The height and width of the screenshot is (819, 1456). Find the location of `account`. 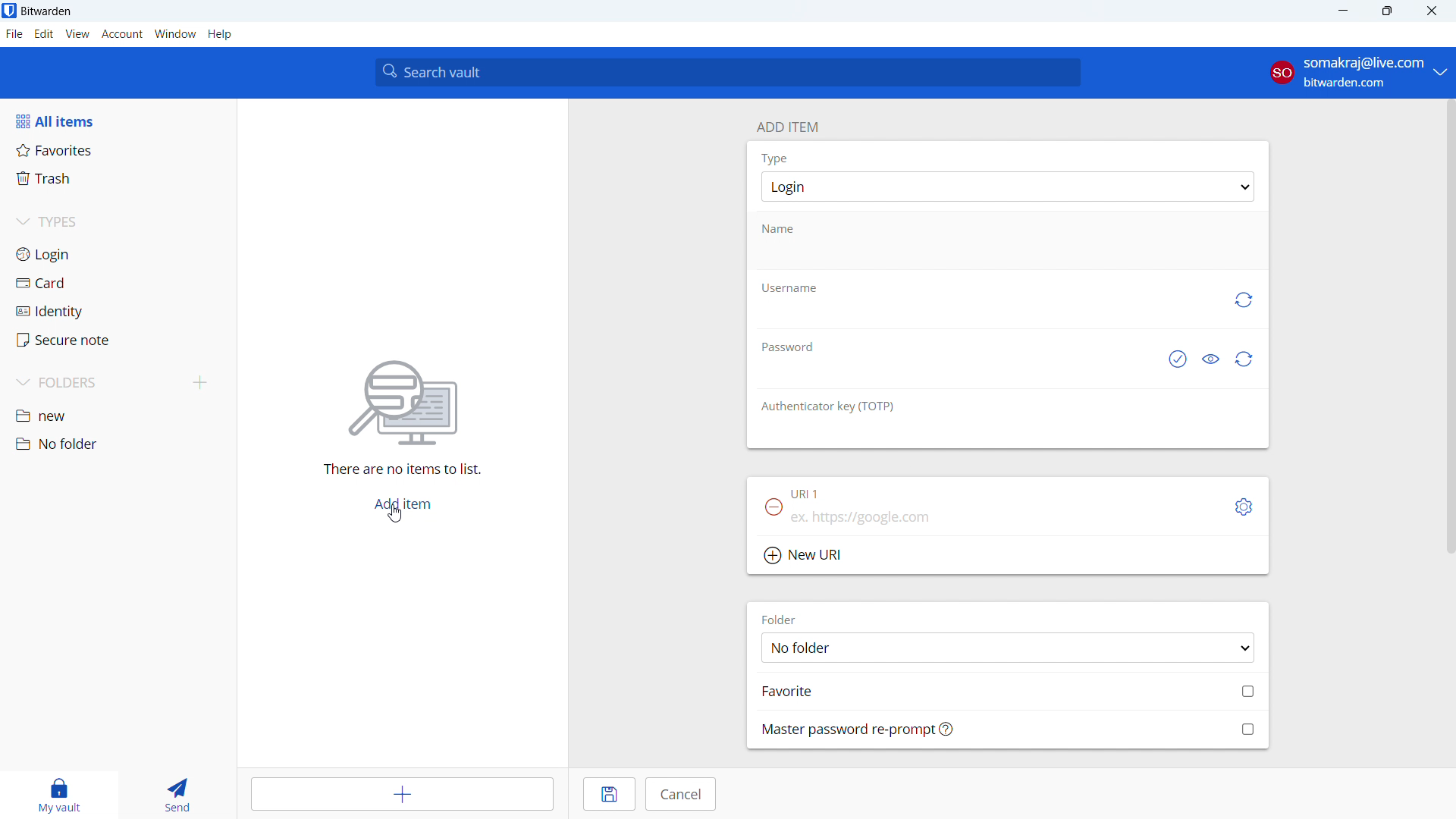

account is located at coordinates (122, 34).